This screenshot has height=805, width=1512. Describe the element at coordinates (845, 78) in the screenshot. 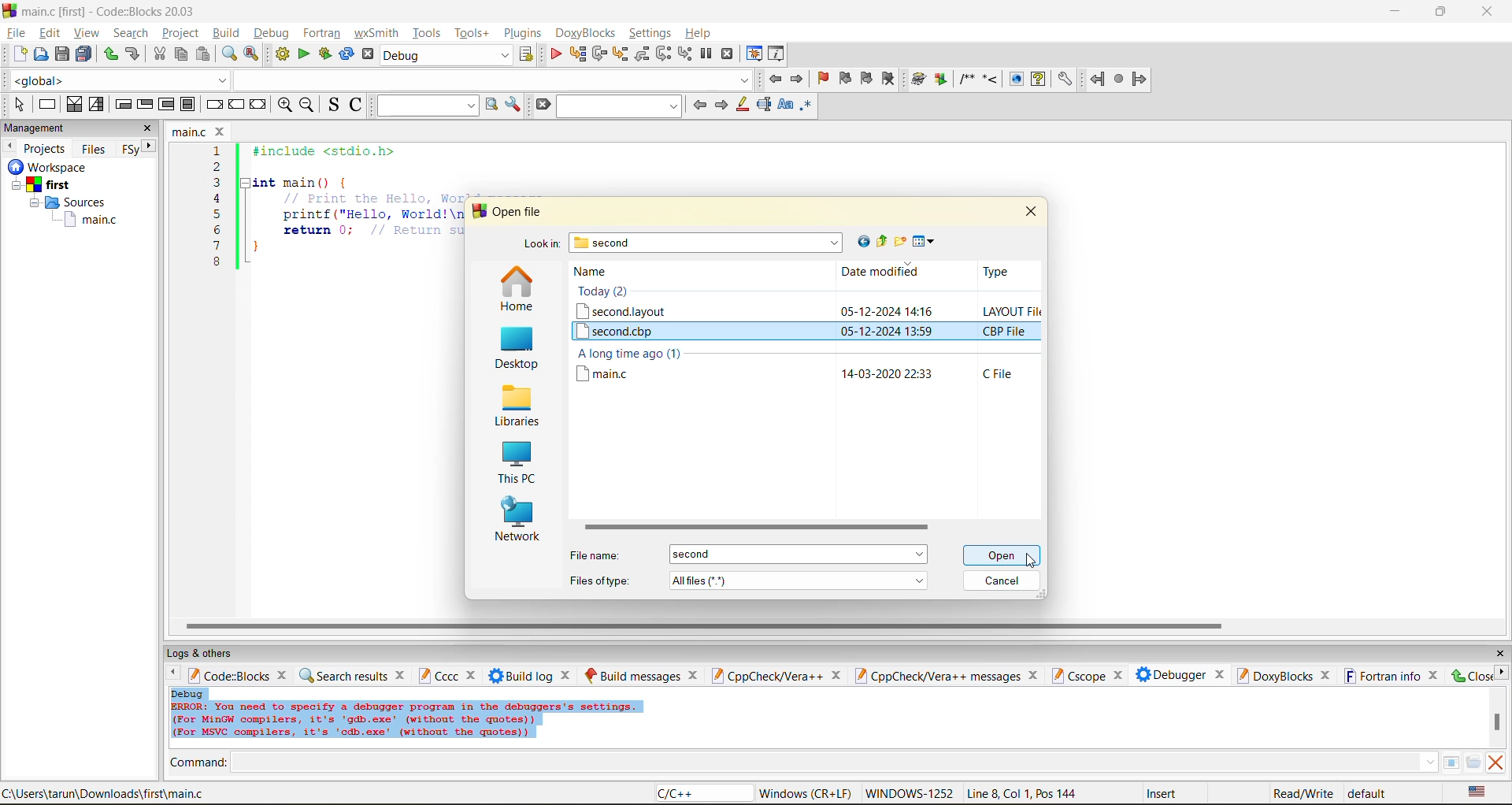

I see `previous bookmark` at that location.